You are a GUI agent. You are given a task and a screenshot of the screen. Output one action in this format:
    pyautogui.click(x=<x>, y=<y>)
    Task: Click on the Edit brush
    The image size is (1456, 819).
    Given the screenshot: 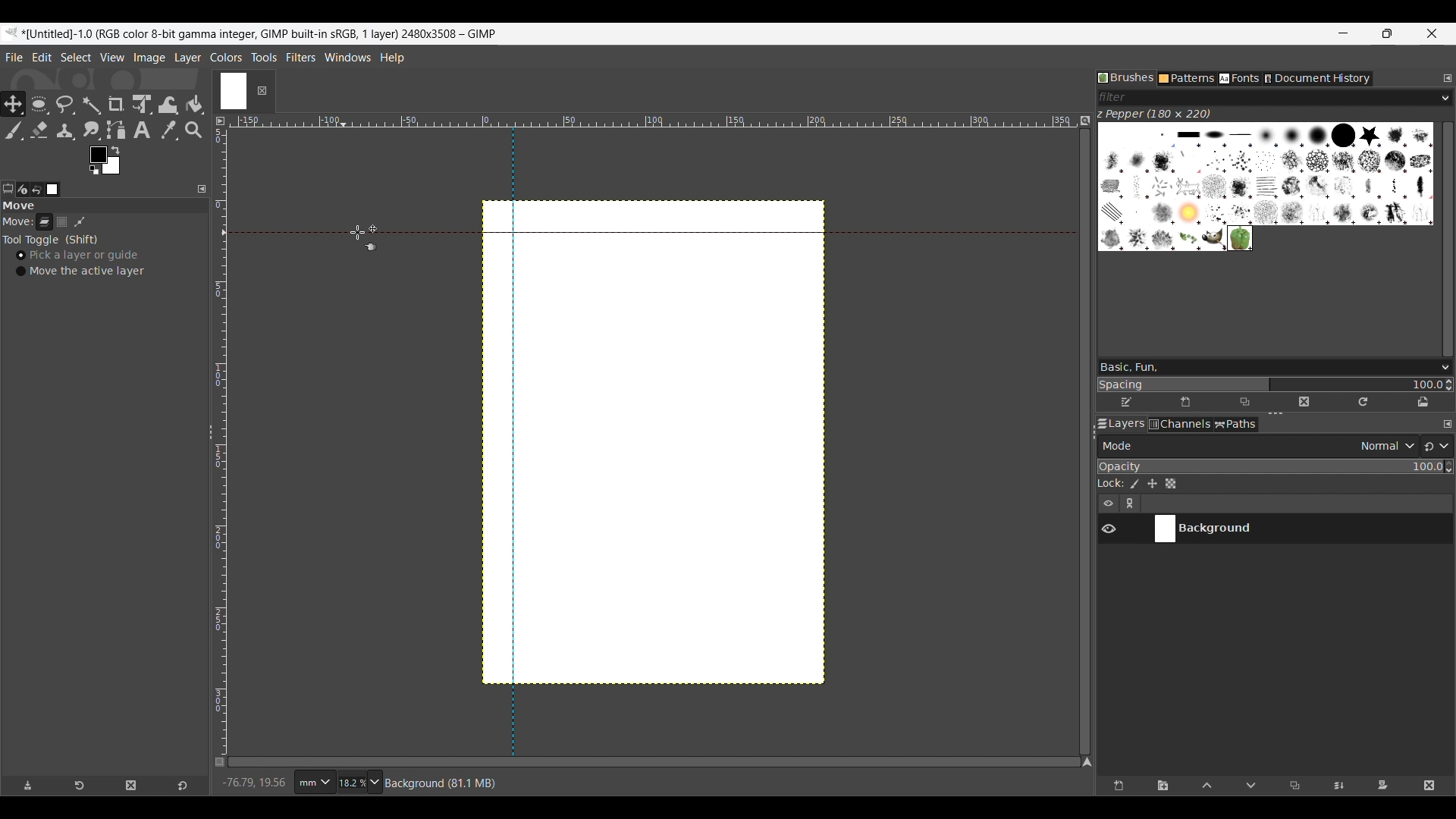 What is the action you would take?
    pyautogui.click(x=1127, y=400)
    